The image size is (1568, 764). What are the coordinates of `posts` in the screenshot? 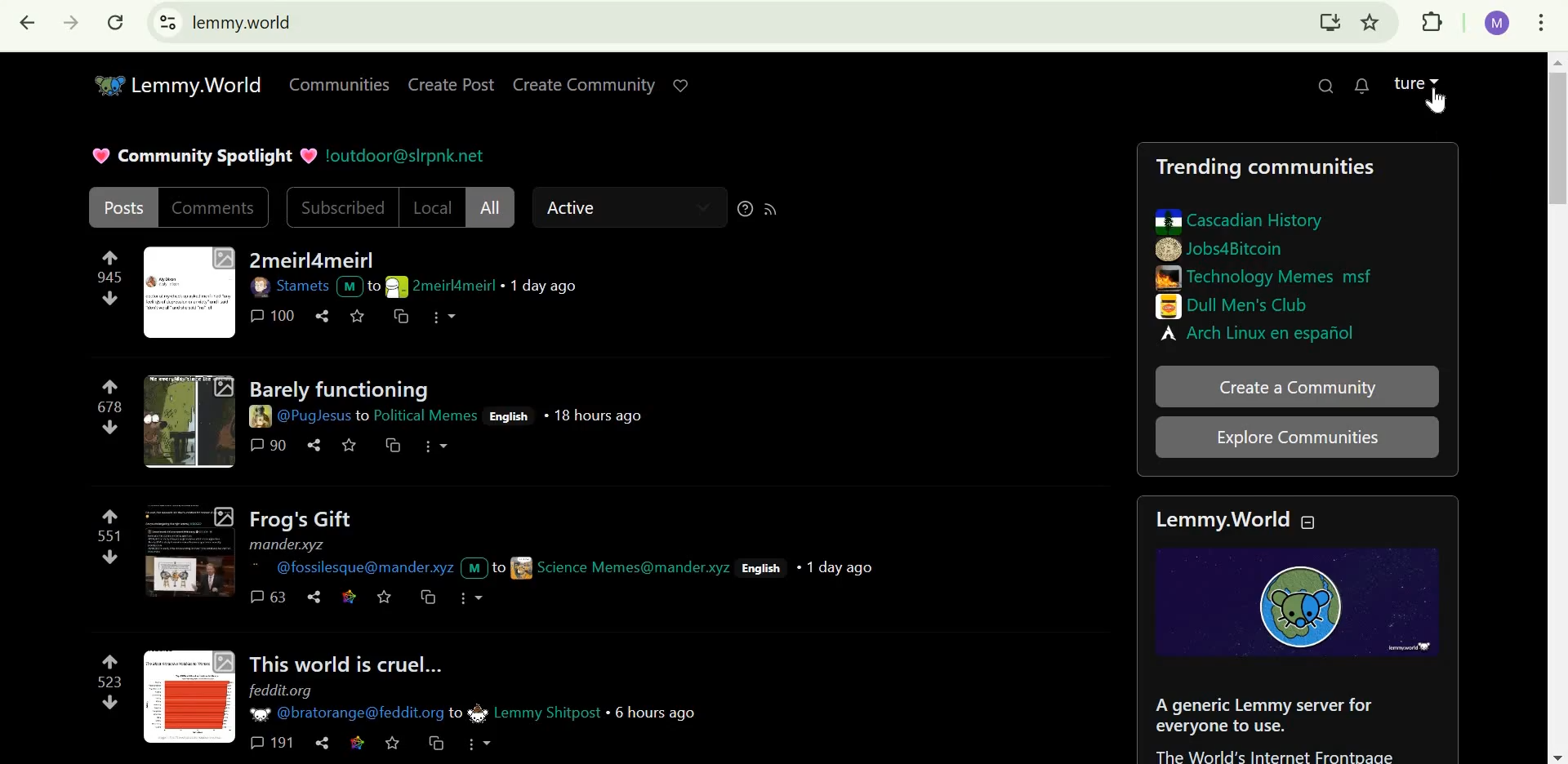 It's located at (124, 206).